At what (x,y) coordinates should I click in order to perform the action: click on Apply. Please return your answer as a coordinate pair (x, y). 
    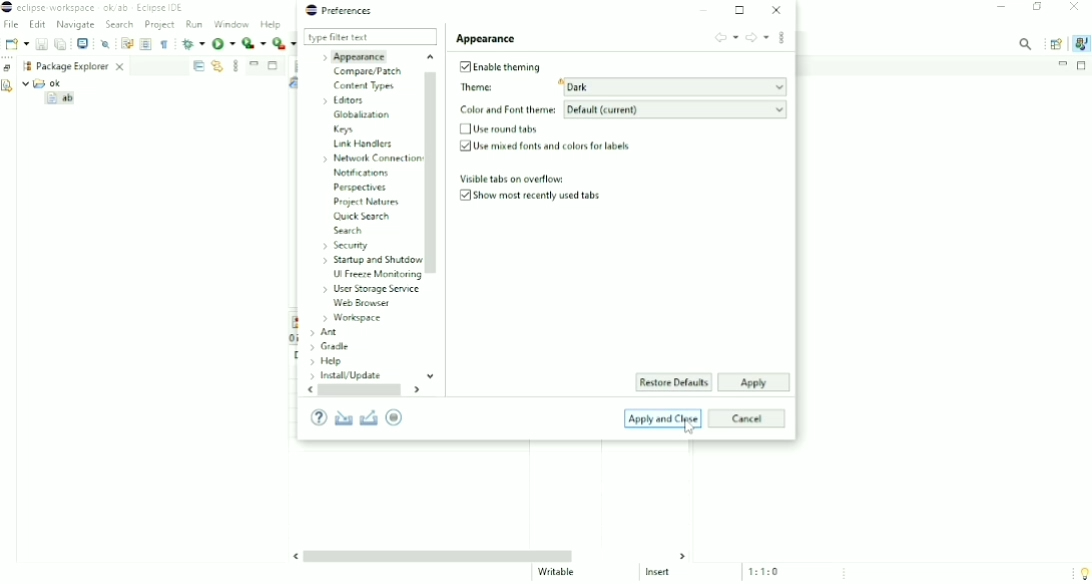
    Looking at the image, I should click on (752, 383).